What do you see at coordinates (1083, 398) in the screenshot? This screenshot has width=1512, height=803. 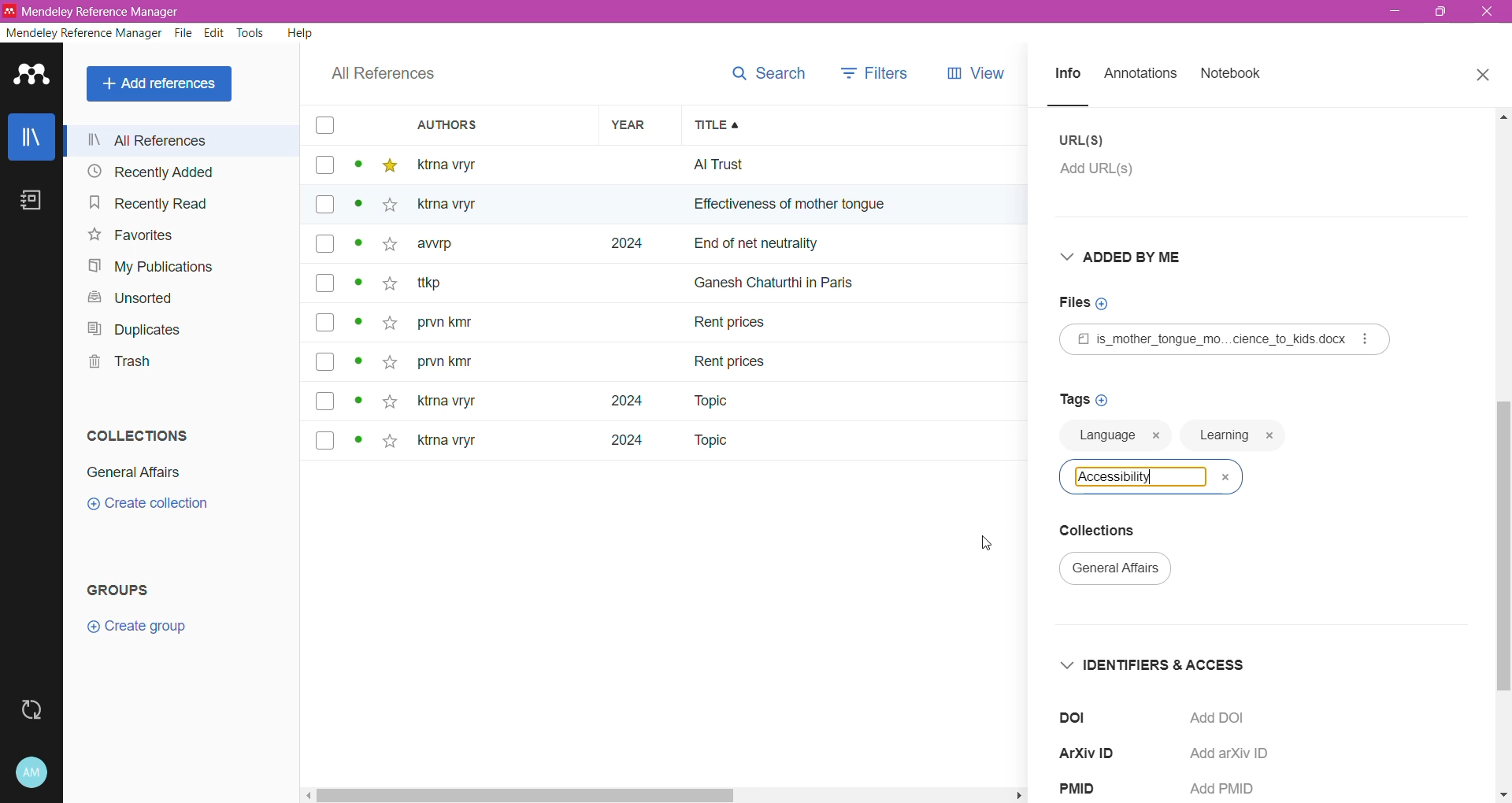 I see `Click to add Tags` at bounding box center [1083, 398].